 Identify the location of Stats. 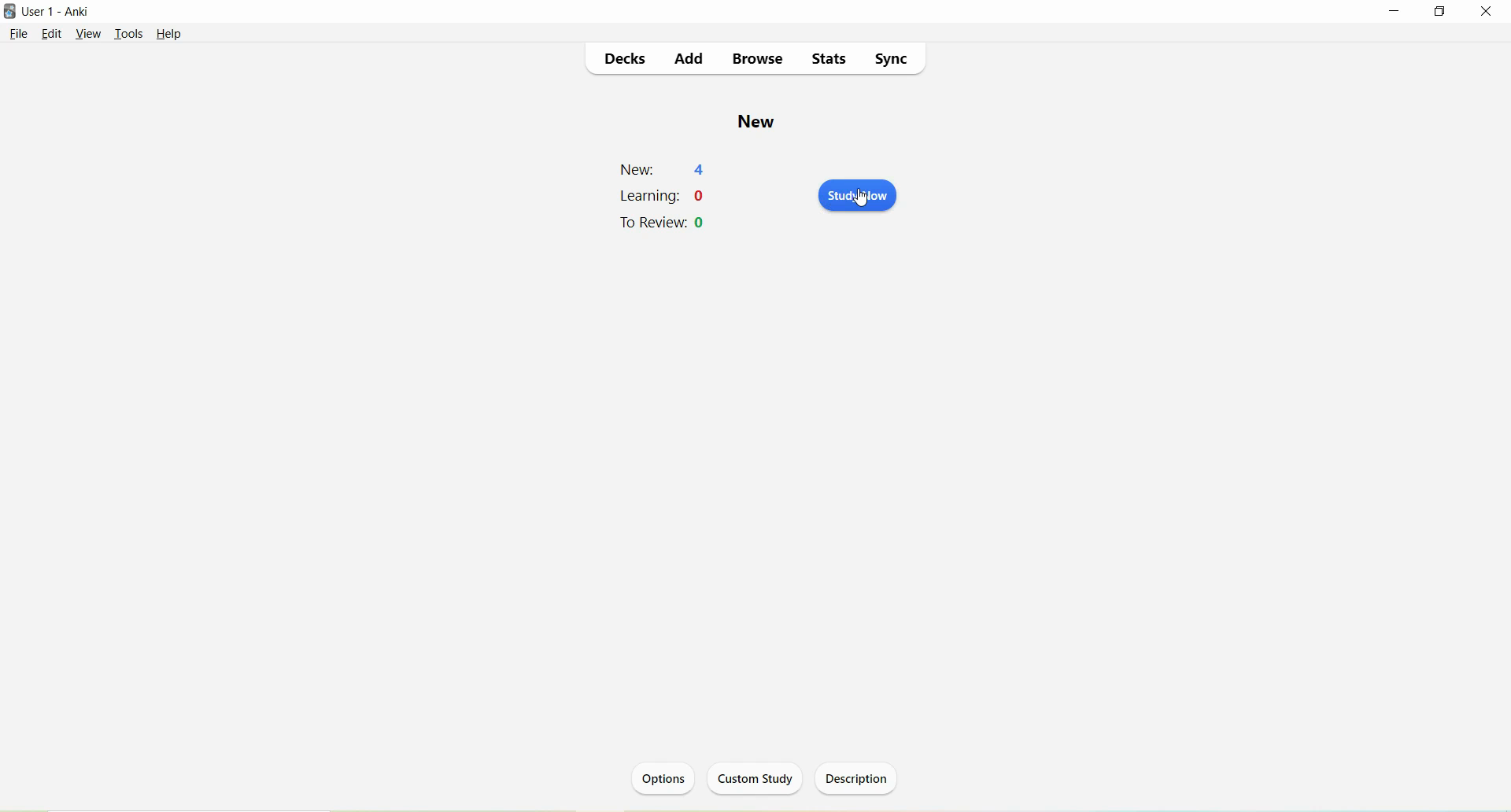
(829, 61).